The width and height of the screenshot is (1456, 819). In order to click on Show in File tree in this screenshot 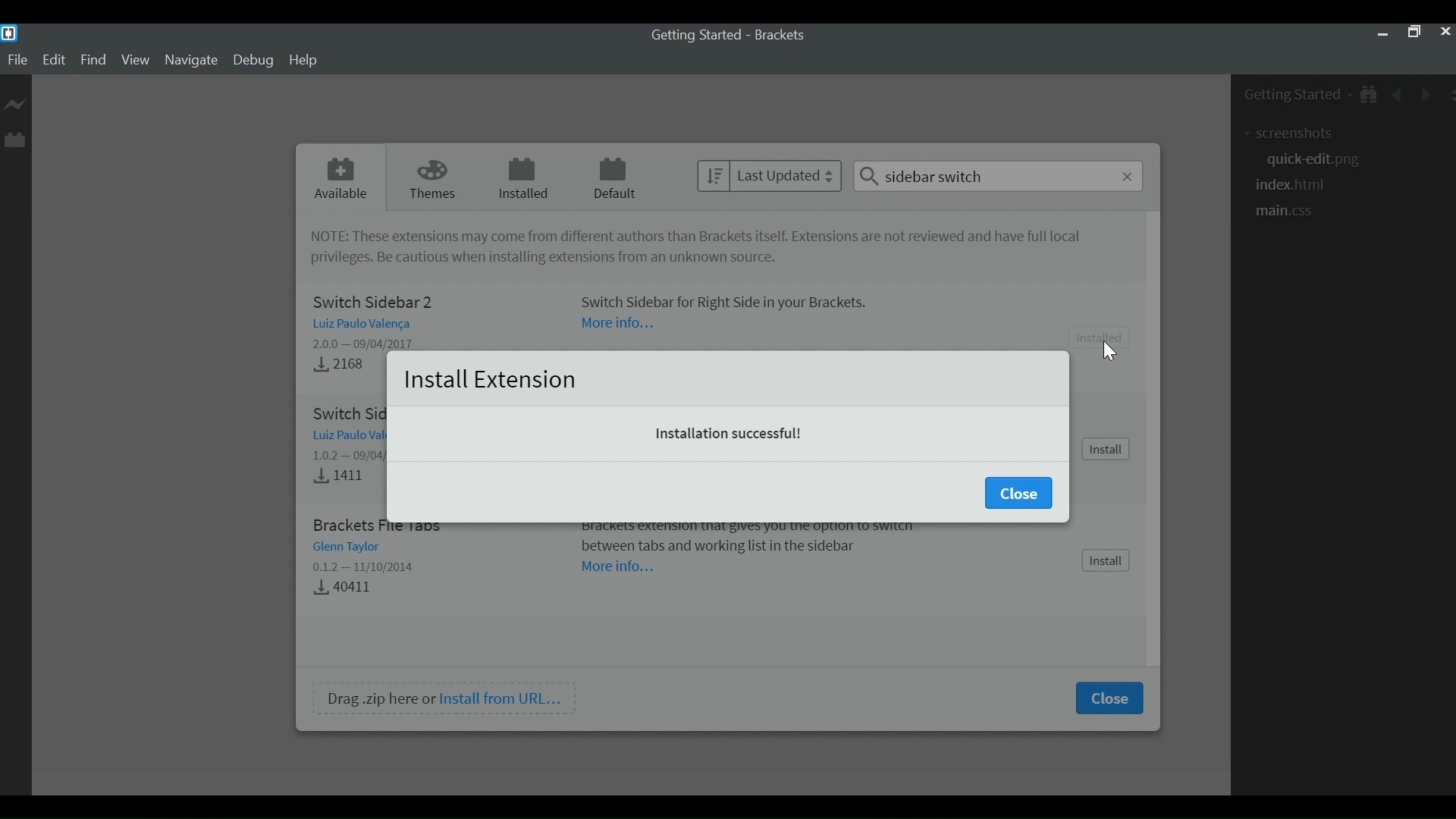, I will do `click(1367, 93)`.